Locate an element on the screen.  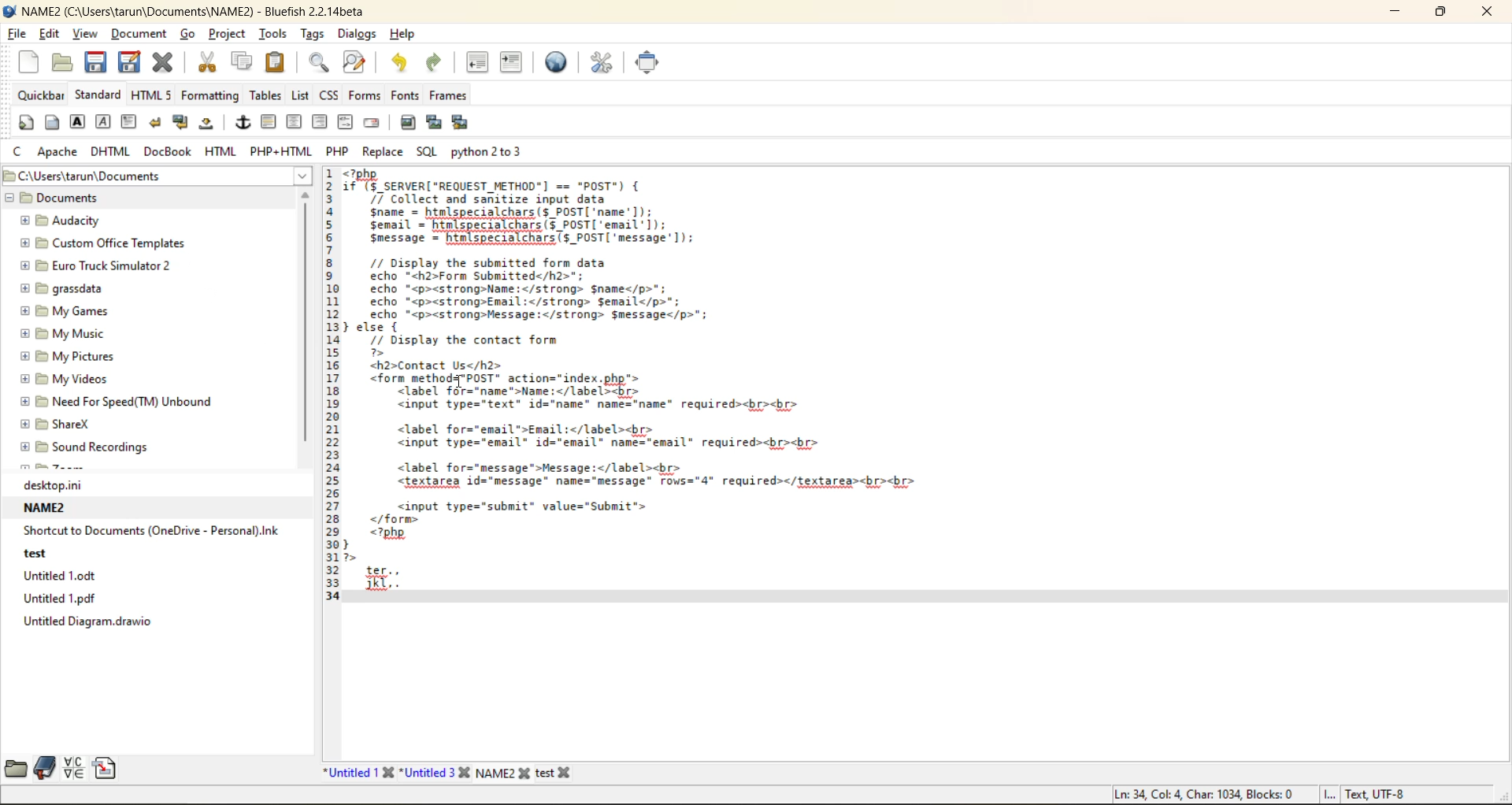
save is located at coordinates (95, 62).